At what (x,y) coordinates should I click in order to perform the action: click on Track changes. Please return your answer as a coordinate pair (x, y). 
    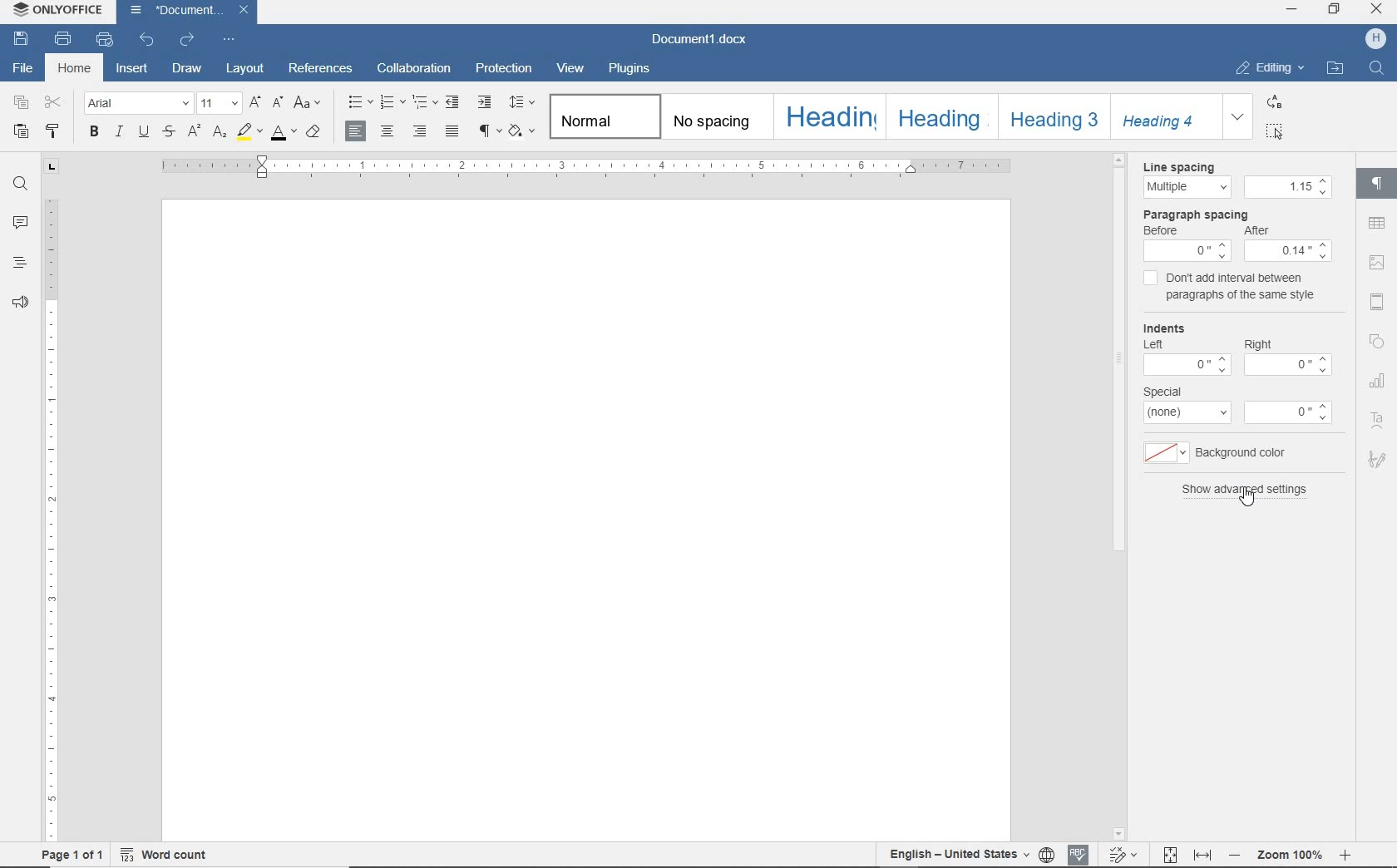
    Looking at the image, I should click on (1124, 856).